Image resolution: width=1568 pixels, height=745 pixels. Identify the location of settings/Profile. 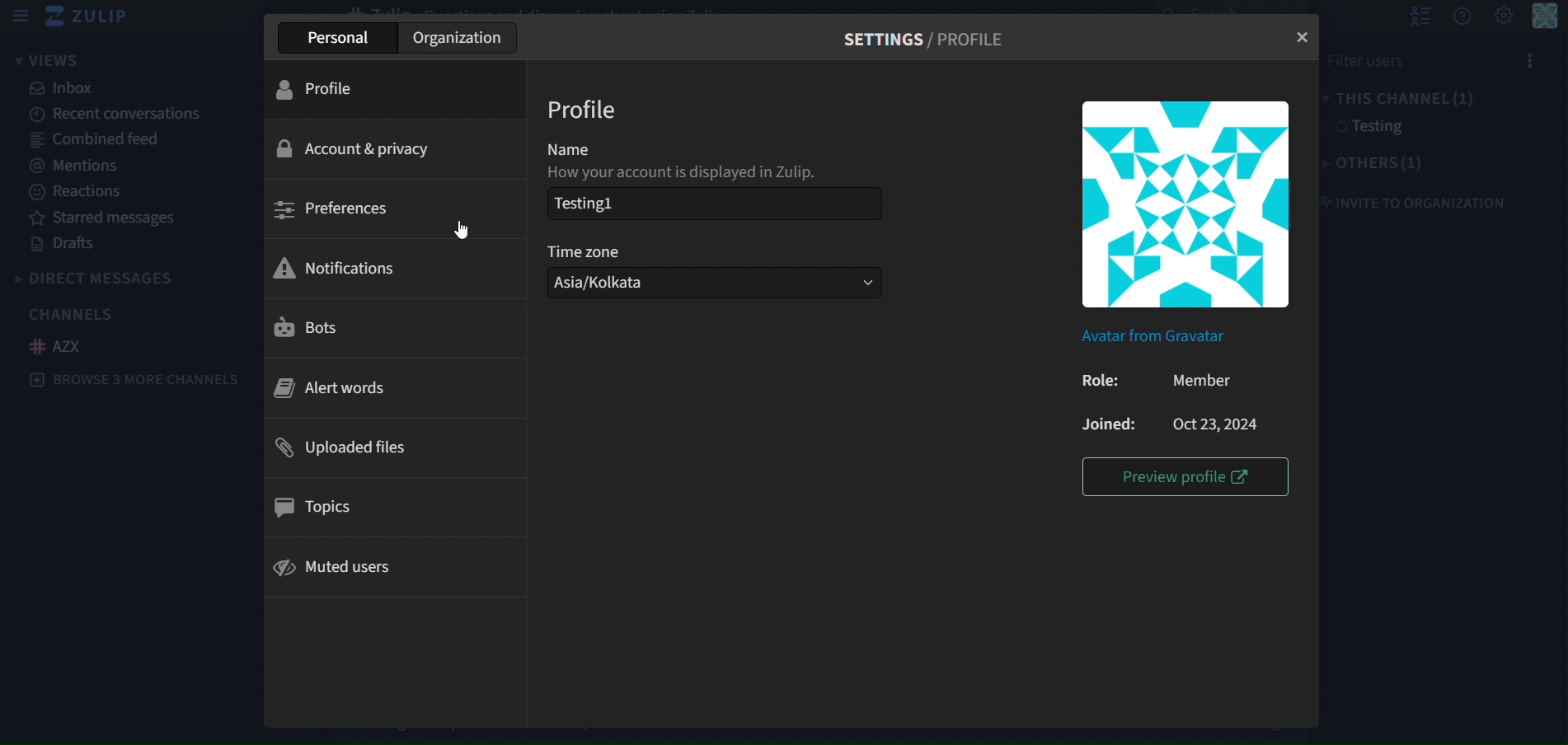
(924, 40).